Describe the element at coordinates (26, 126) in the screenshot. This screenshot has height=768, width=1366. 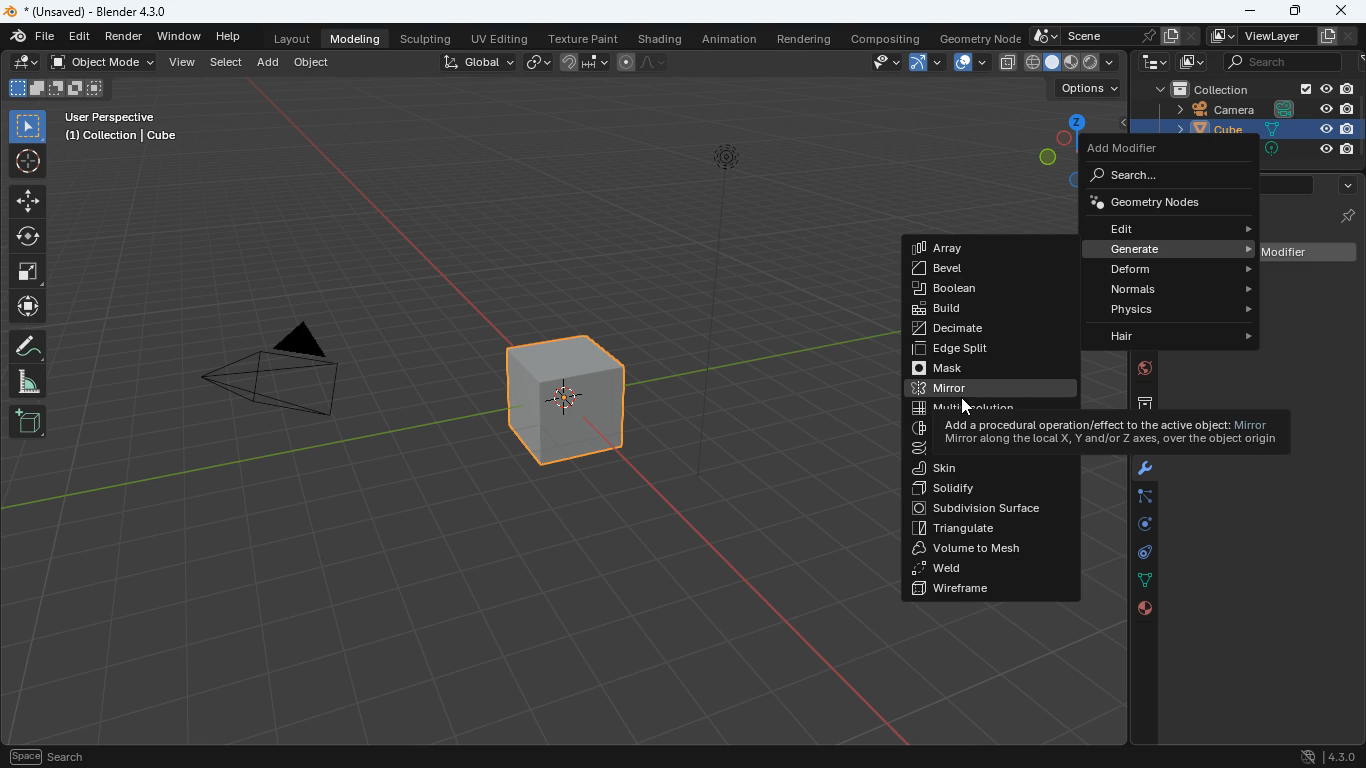
I see `select` at that location.